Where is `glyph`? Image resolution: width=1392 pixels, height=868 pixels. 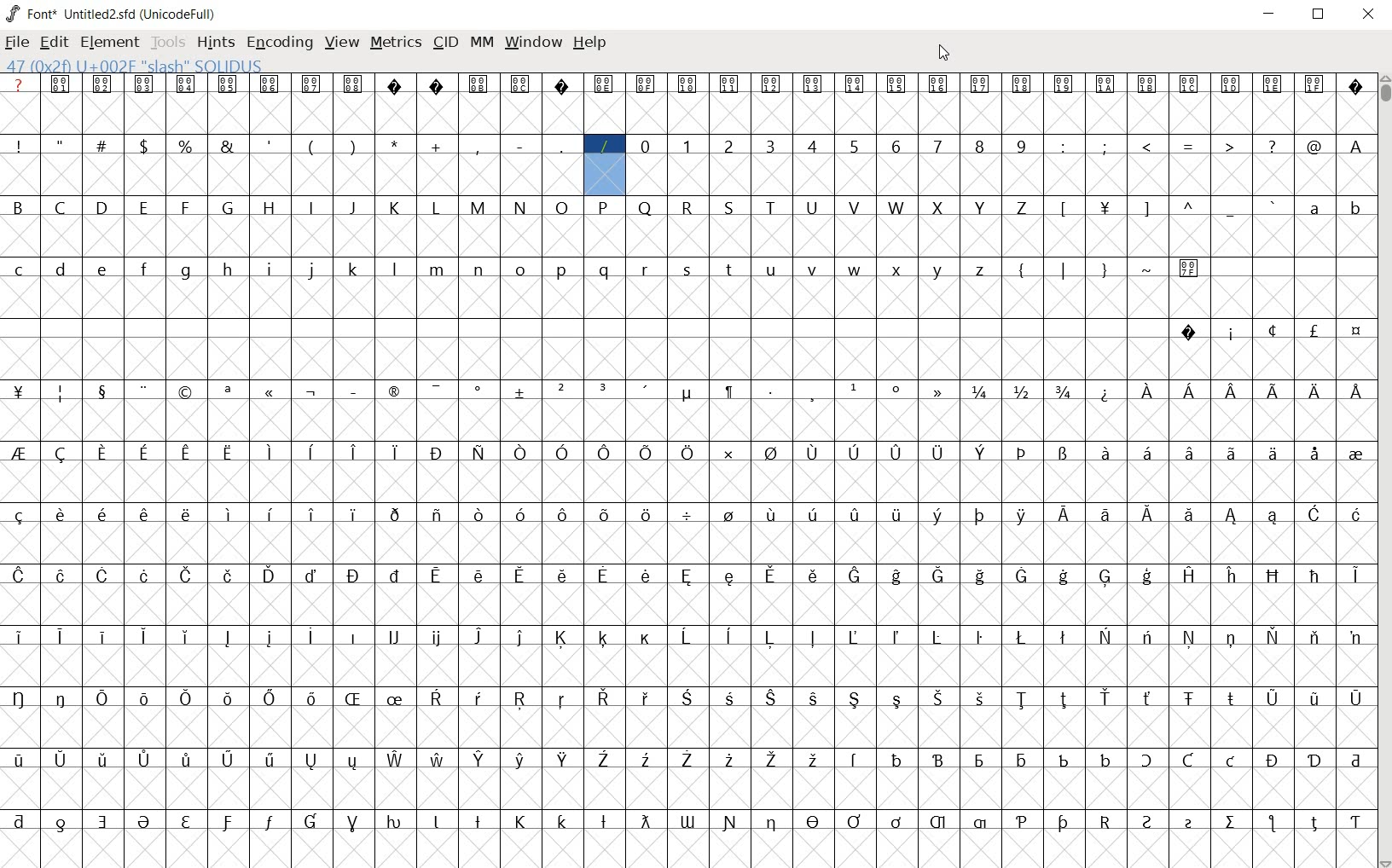
glyph is located at coordinates (395, 453).